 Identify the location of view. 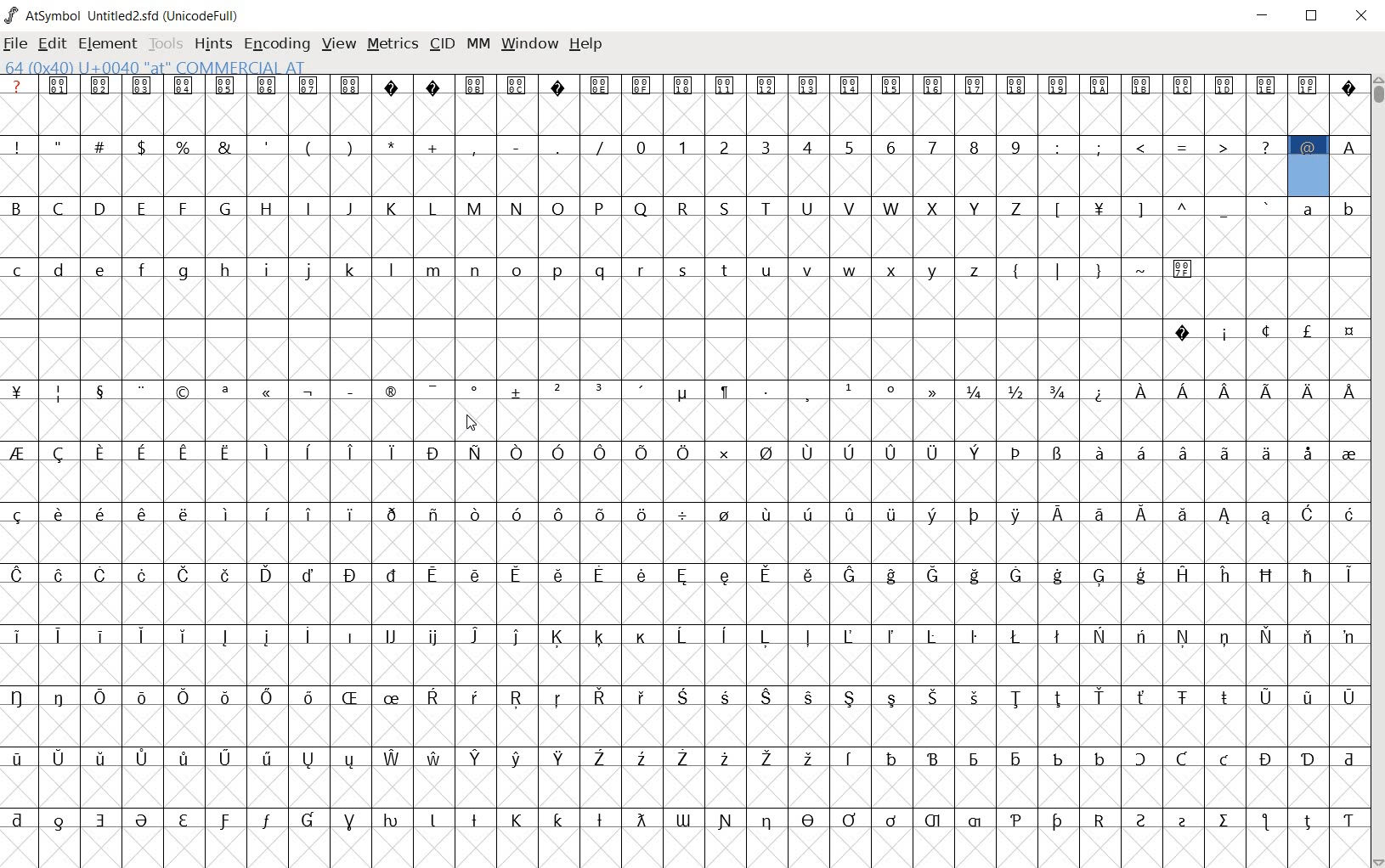
(337, 44).